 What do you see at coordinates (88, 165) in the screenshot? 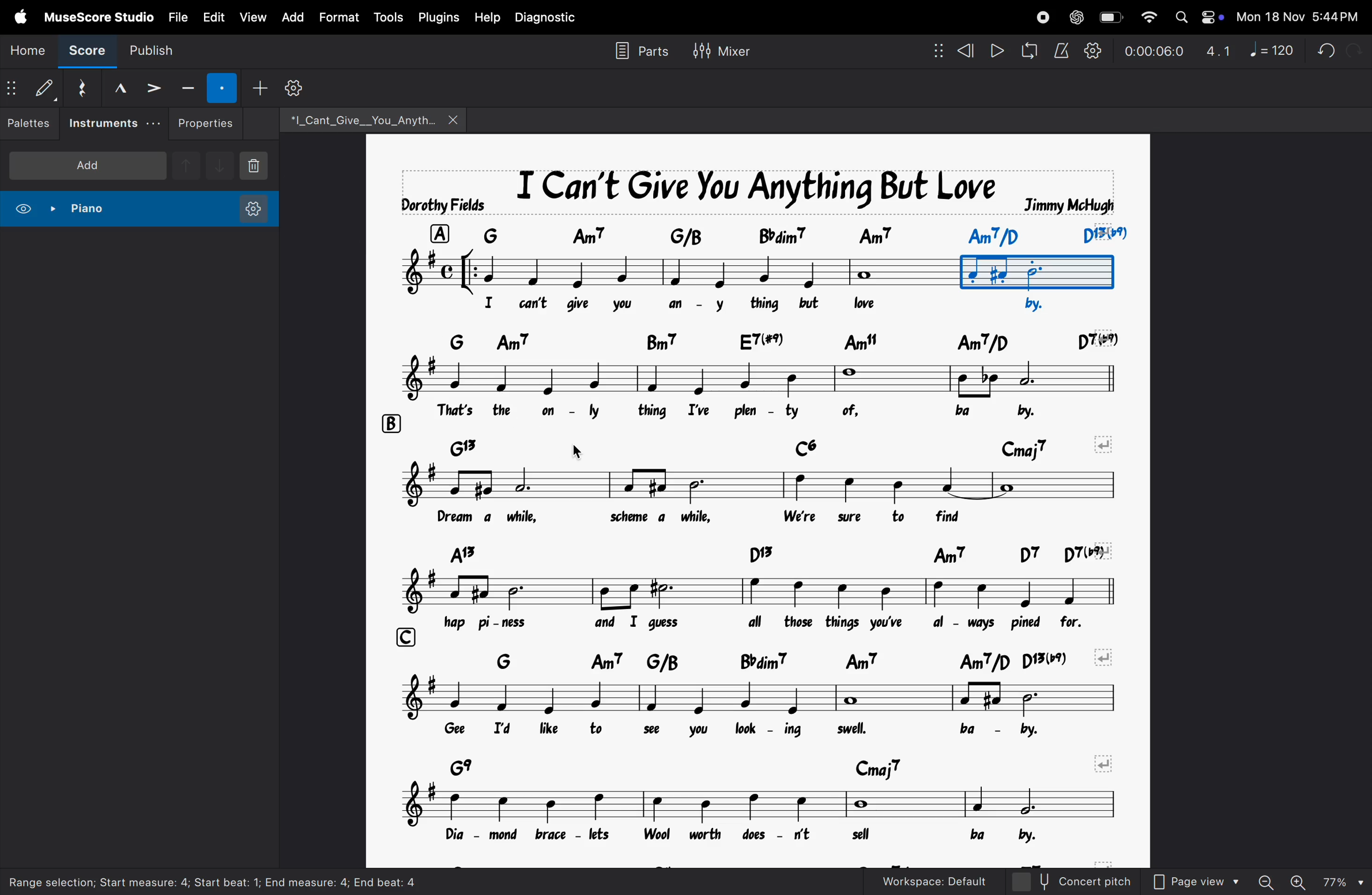
I see `add` at bounding box center [88, 165].